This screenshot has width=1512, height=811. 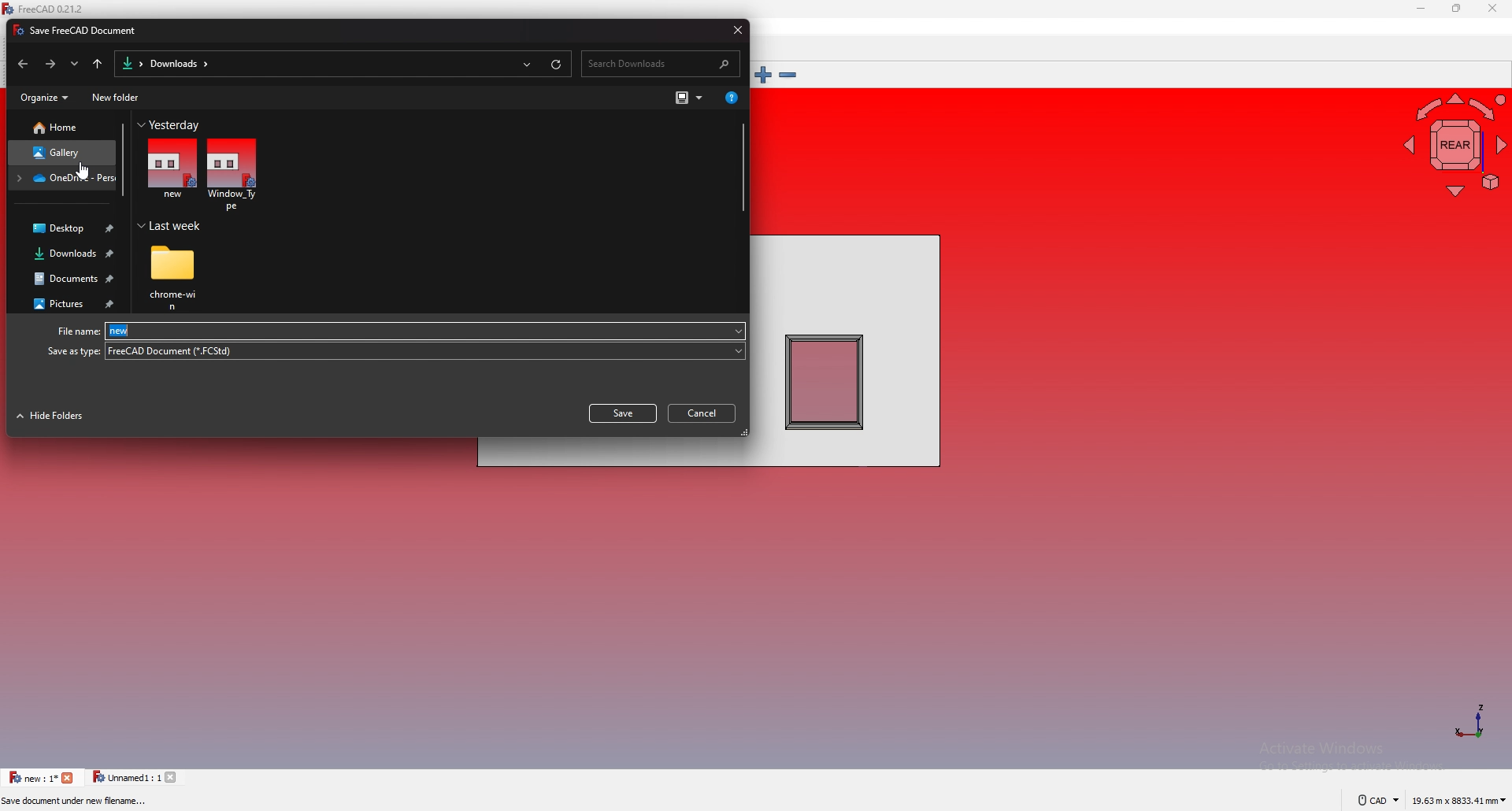 What do you see at coordinates (235, 176) in the screenshot?
I see `file` at bounding box center [235, 176].